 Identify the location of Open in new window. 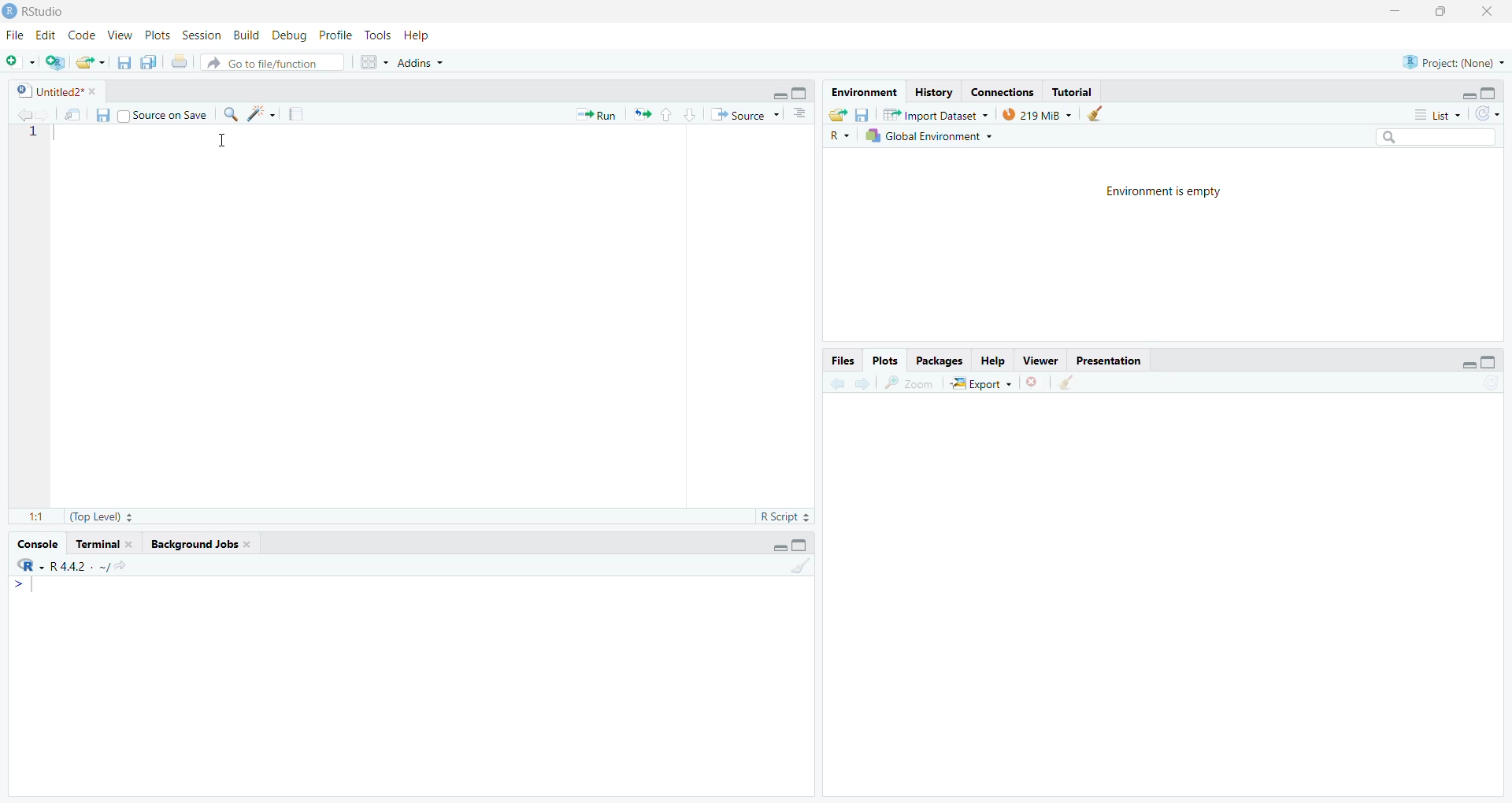
(74, 113).